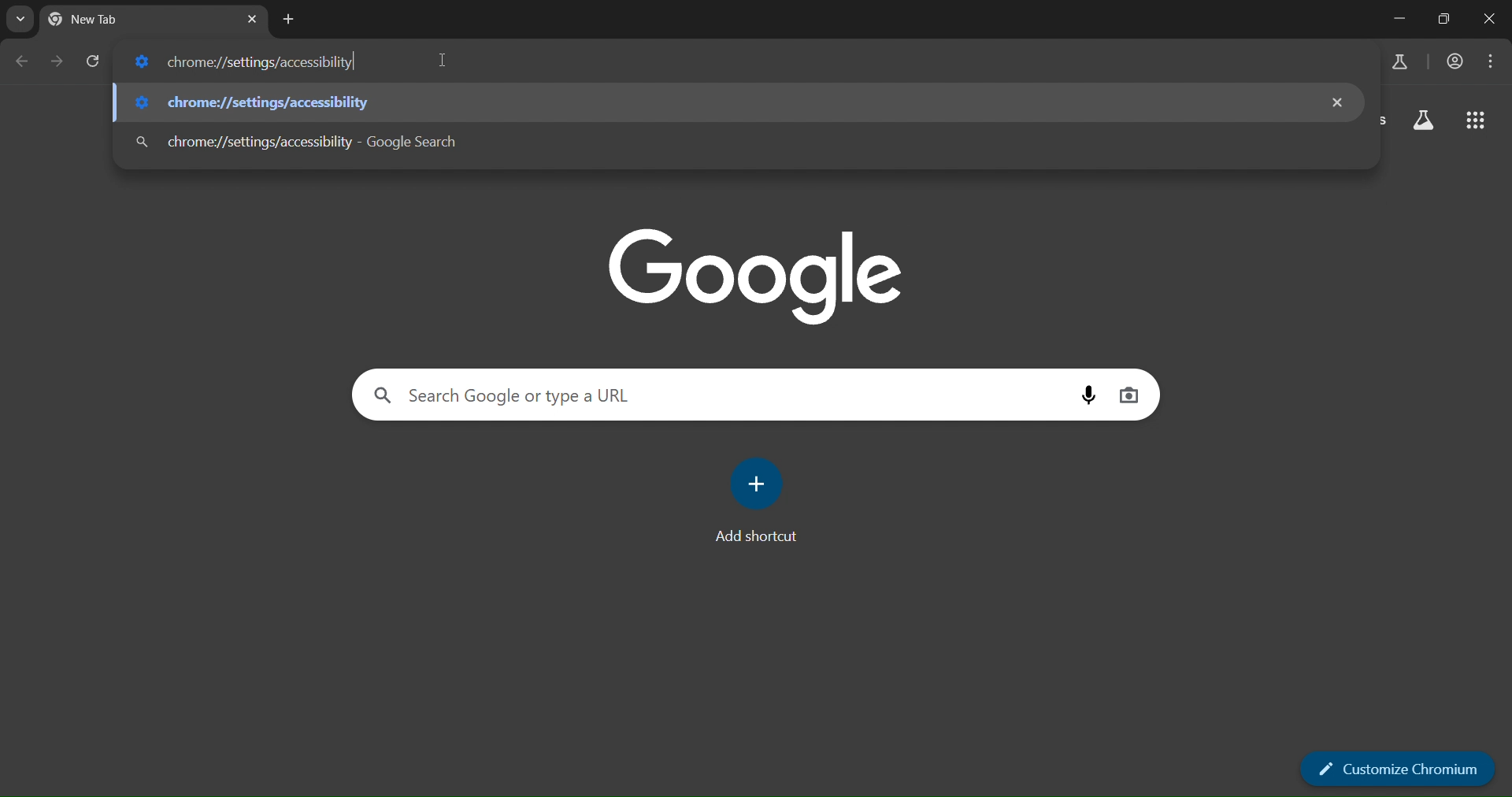  Describe the element at coordinates (1399, 19) in the screenshot. I see `minimize` at that location.